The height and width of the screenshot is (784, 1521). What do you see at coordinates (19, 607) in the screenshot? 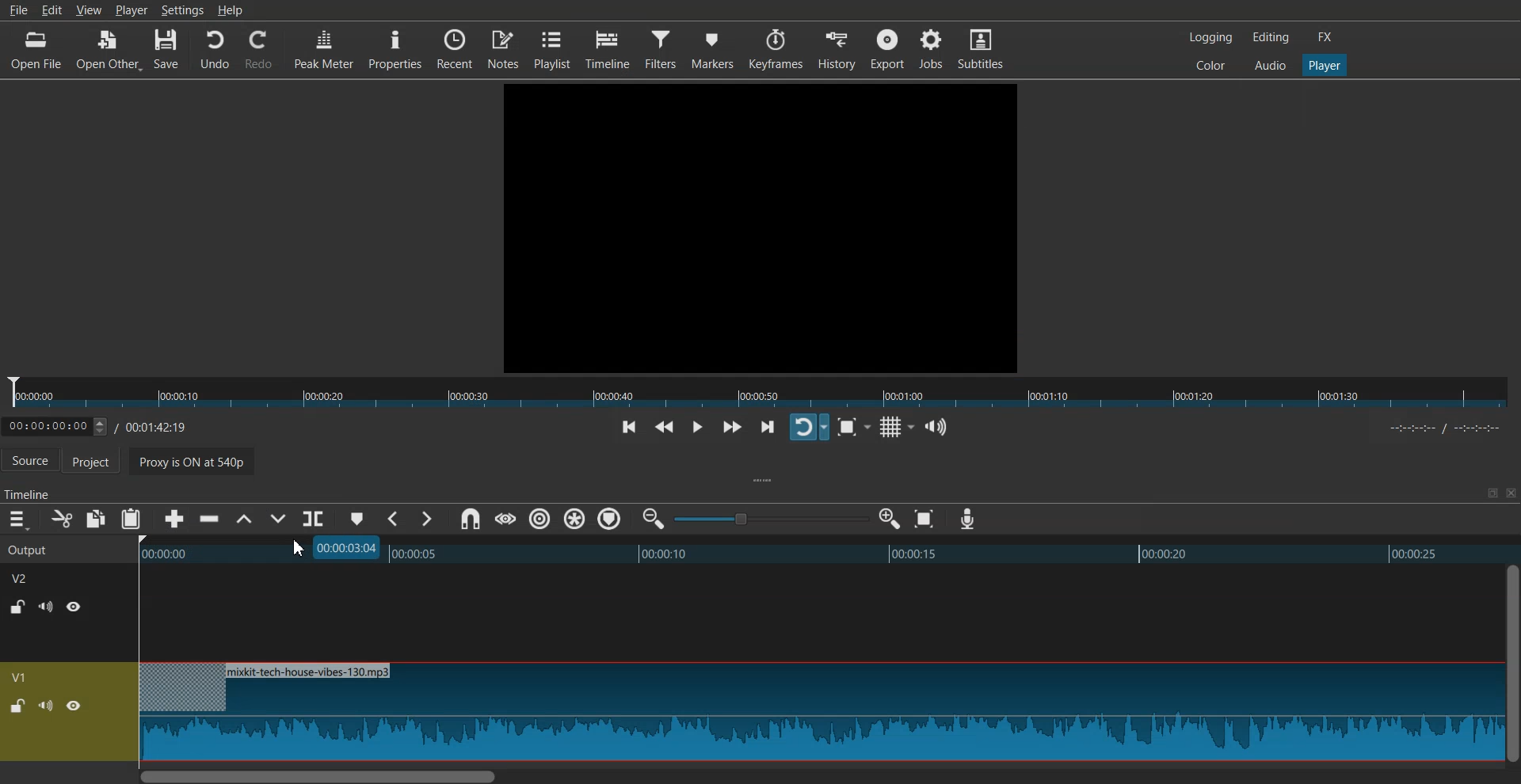
I see `Lock / UnLock` at bounding box center [19, 607].